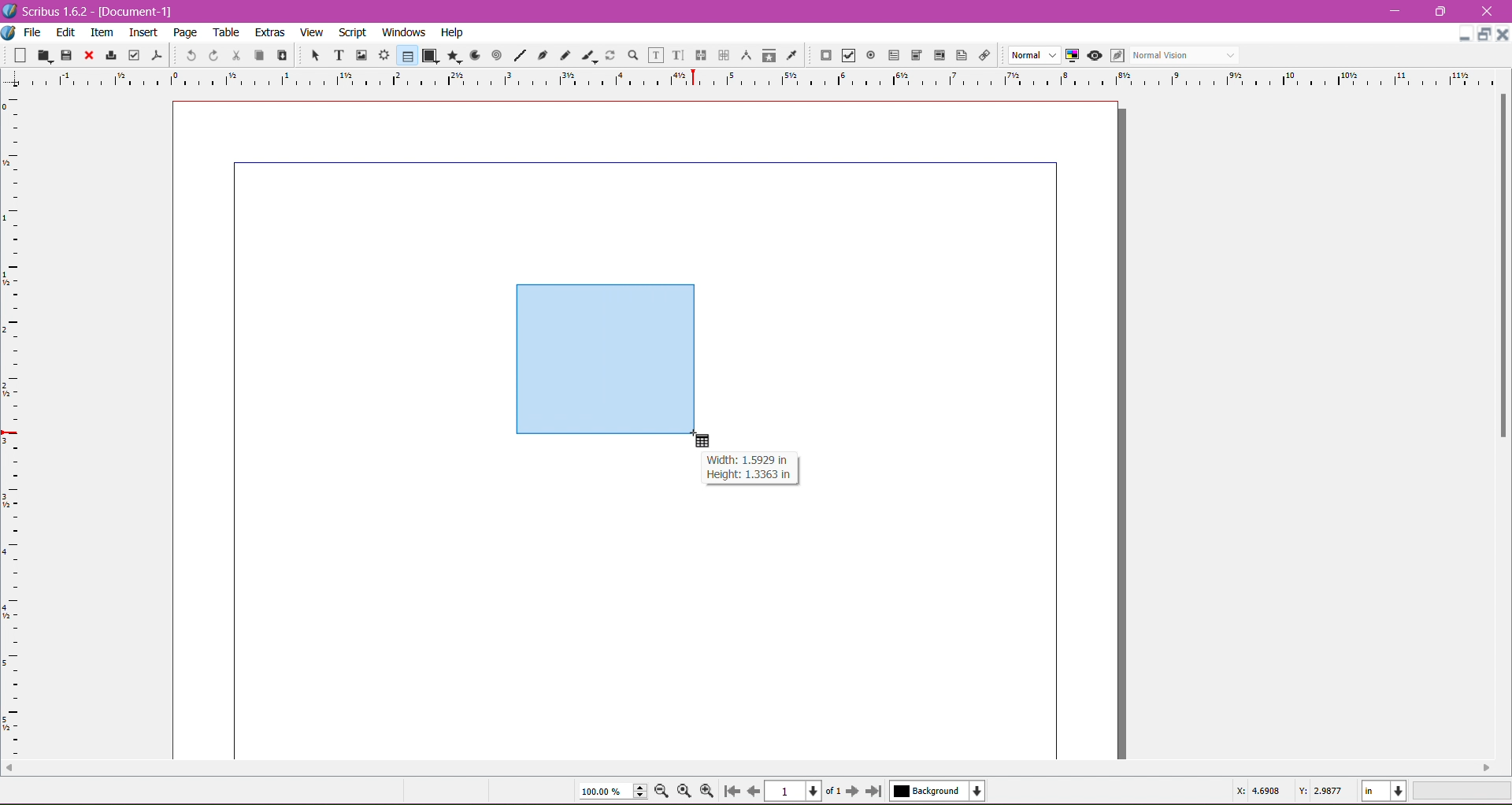 This screenshot has width=1512, height=805. What do you see at coordinates (228, 32) in the screenshot?
I see `Table` at bounding box center [228, 32].